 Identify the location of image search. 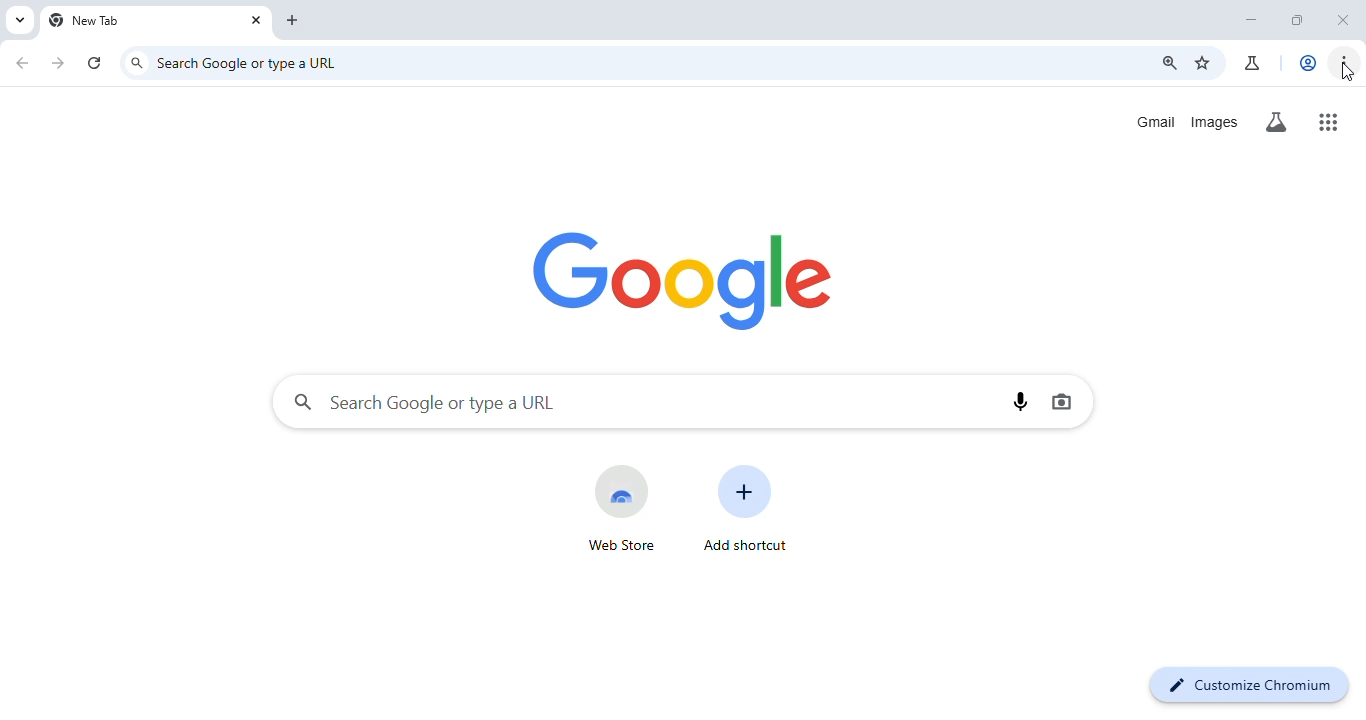
(1060, 402).